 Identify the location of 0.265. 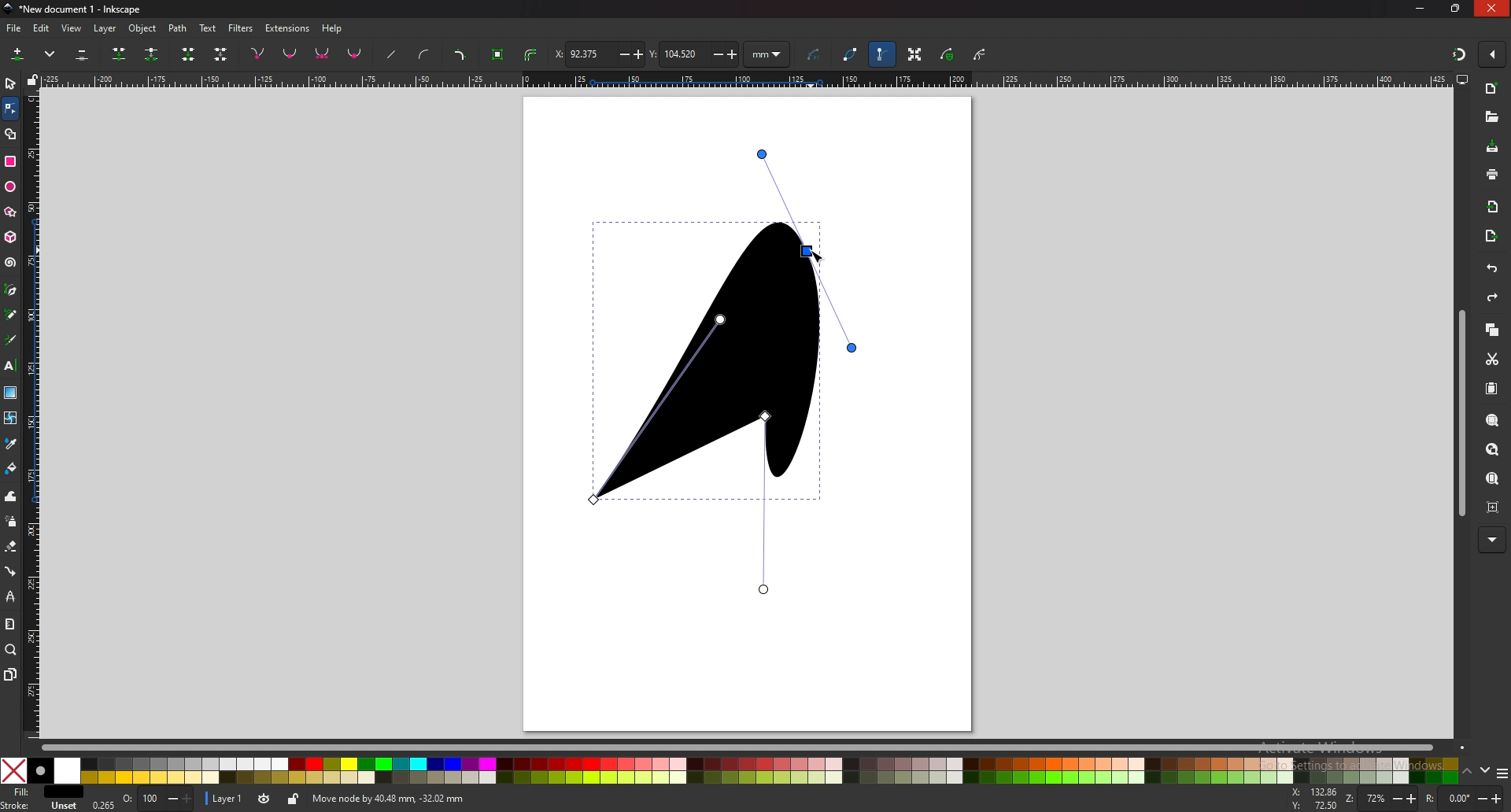
(102, 804).